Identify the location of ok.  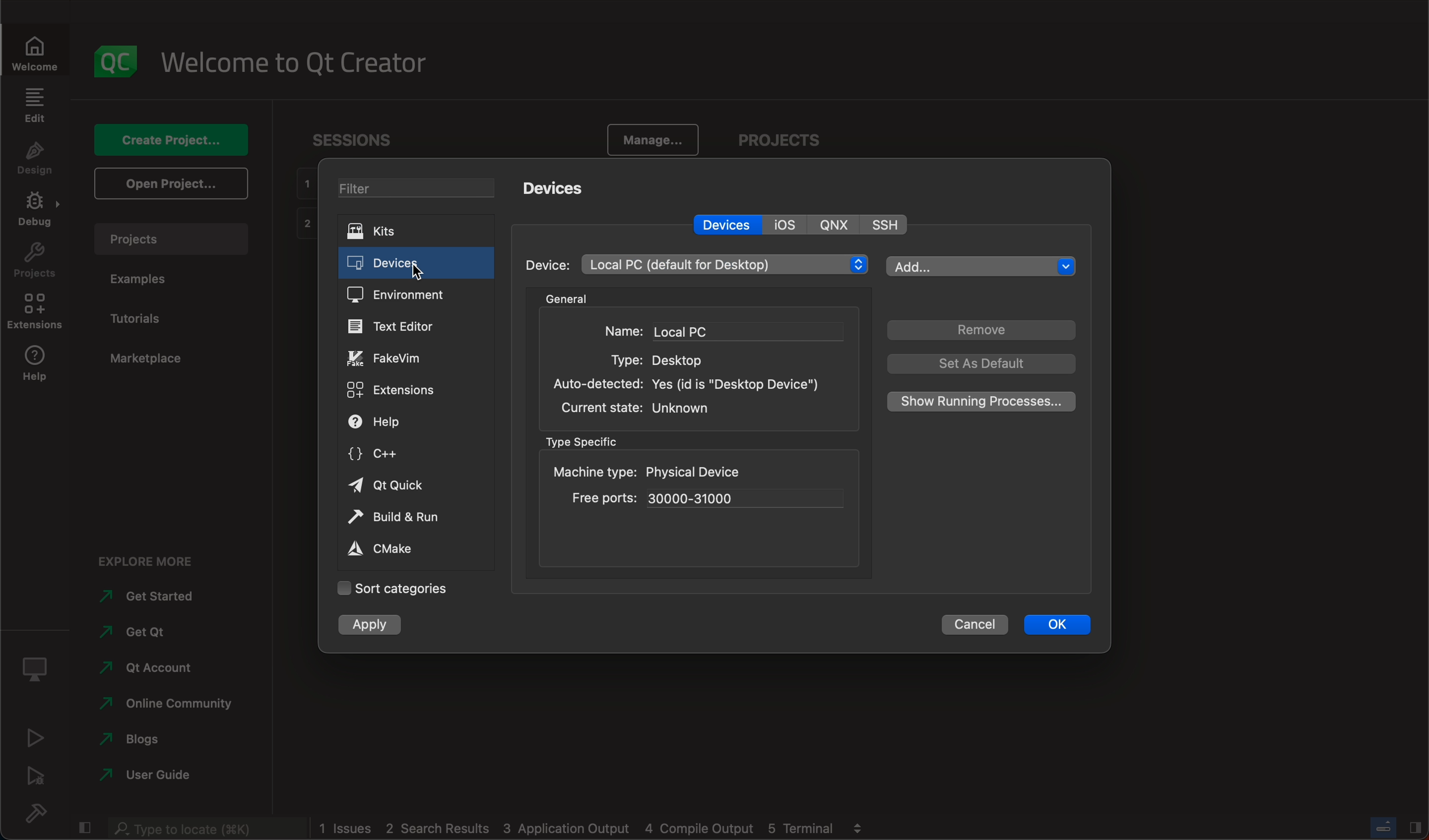
(1062, 625).